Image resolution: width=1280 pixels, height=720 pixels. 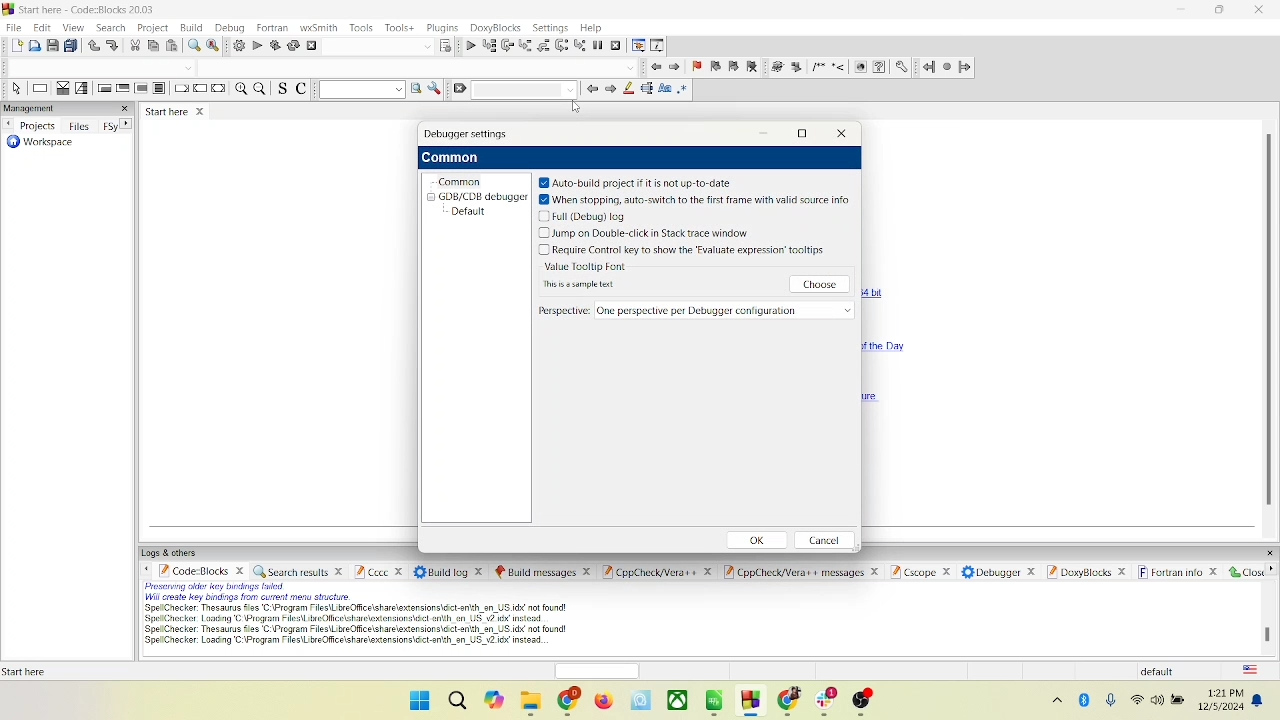 What do you see at coordinates (171, 45) in the screenshot?
I see `paste` at bounding box center [171, 45].